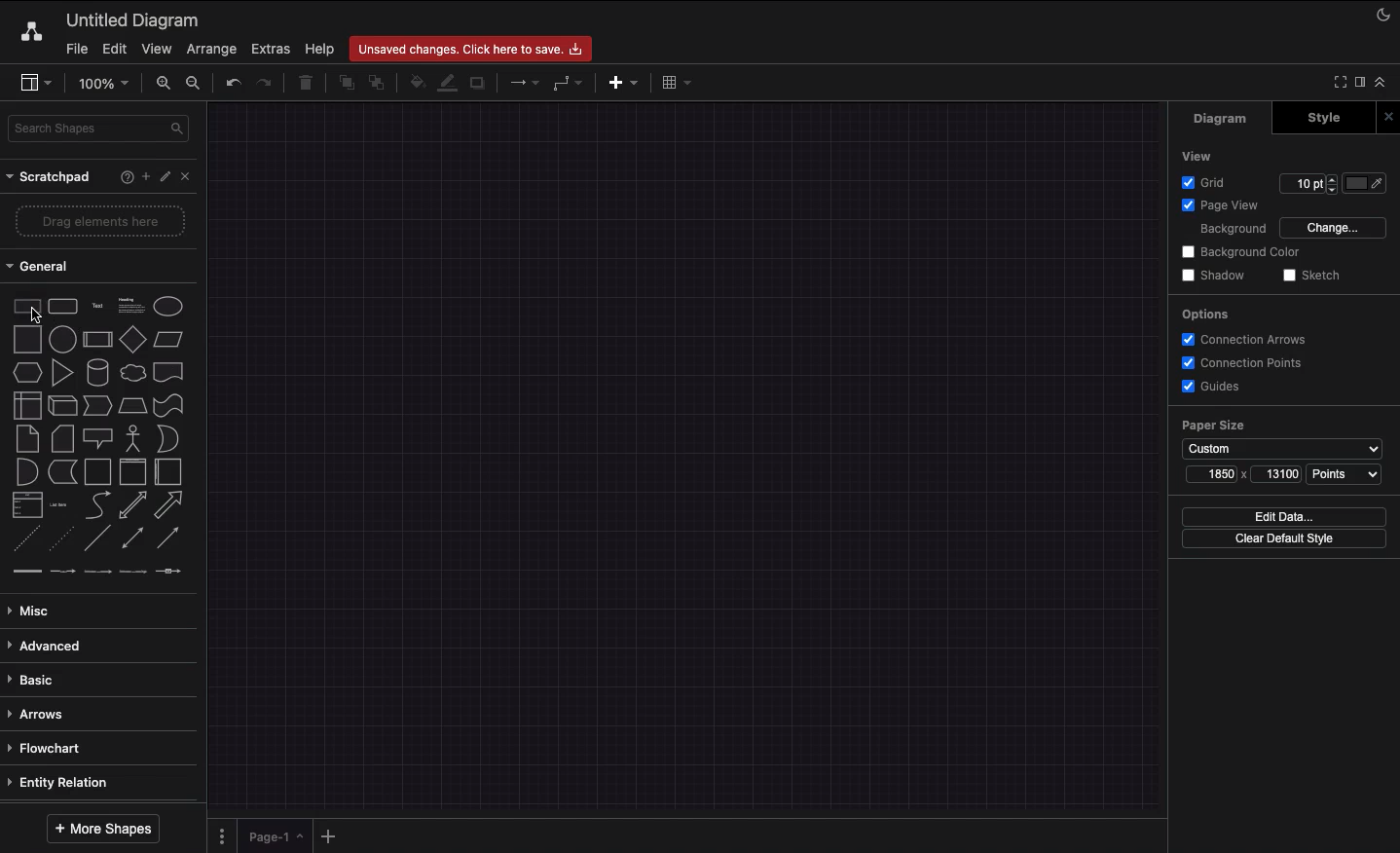 Image resolution: width=1400 pixels, height=853 pixels. What do you see at coordinates (41, 316) in the screenshot?
I see `cursor` at bounding box center [41, 316].